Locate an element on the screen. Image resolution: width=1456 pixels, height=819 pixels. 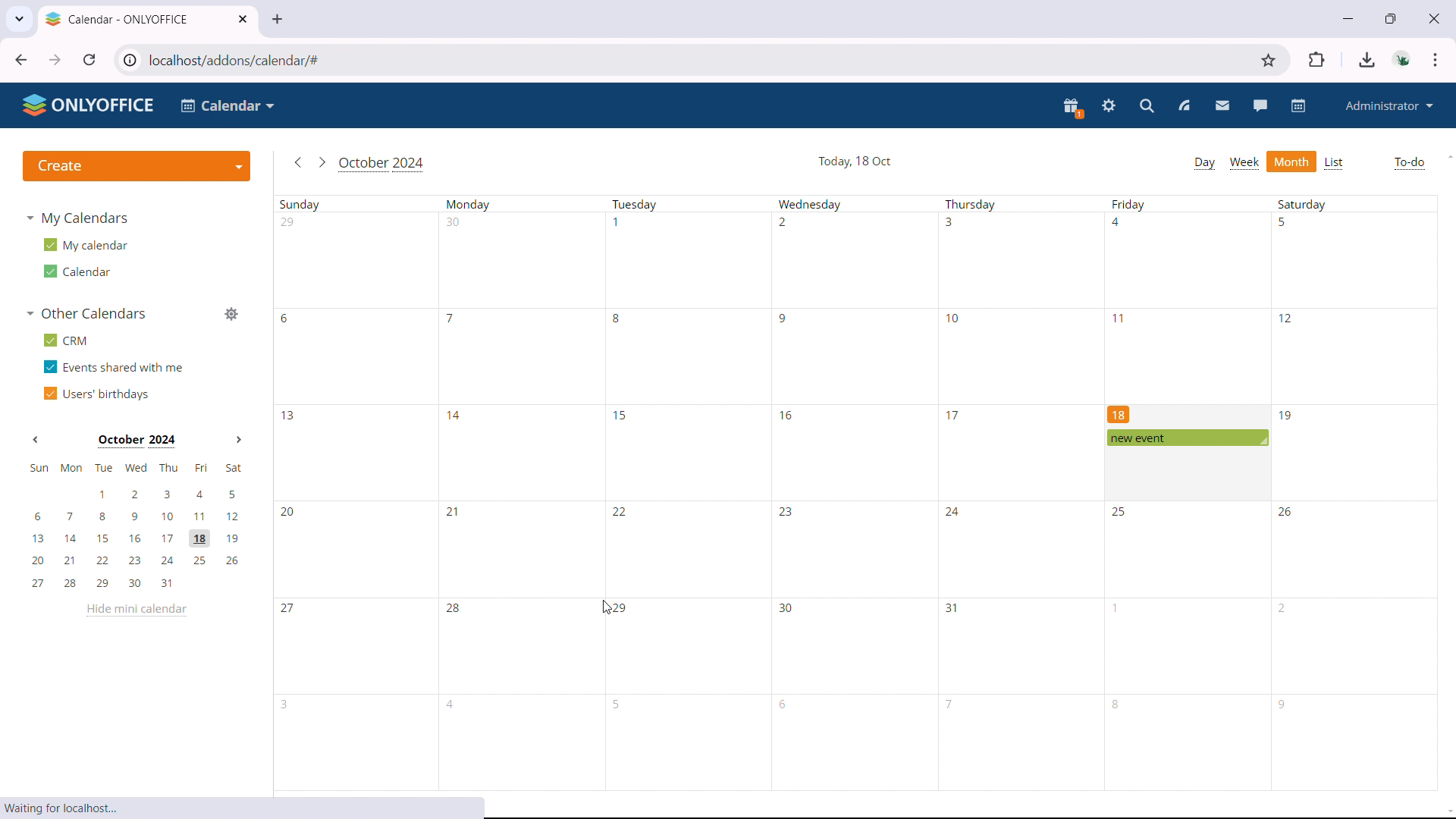
Calendar - ONLYOFFICE is located at coordinates (118, 19).